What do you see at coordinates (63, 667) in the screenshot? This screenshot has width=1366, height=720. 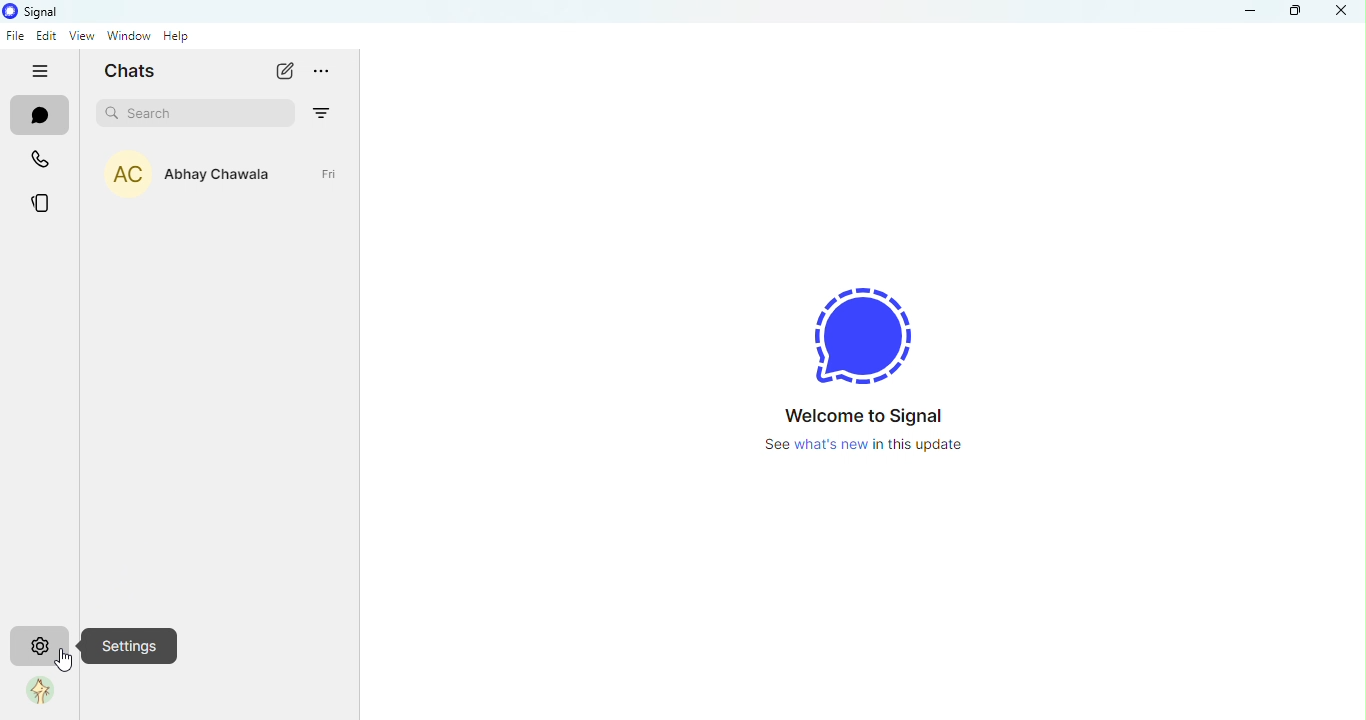 I see `Cursor` at bounding box center [63, 667].